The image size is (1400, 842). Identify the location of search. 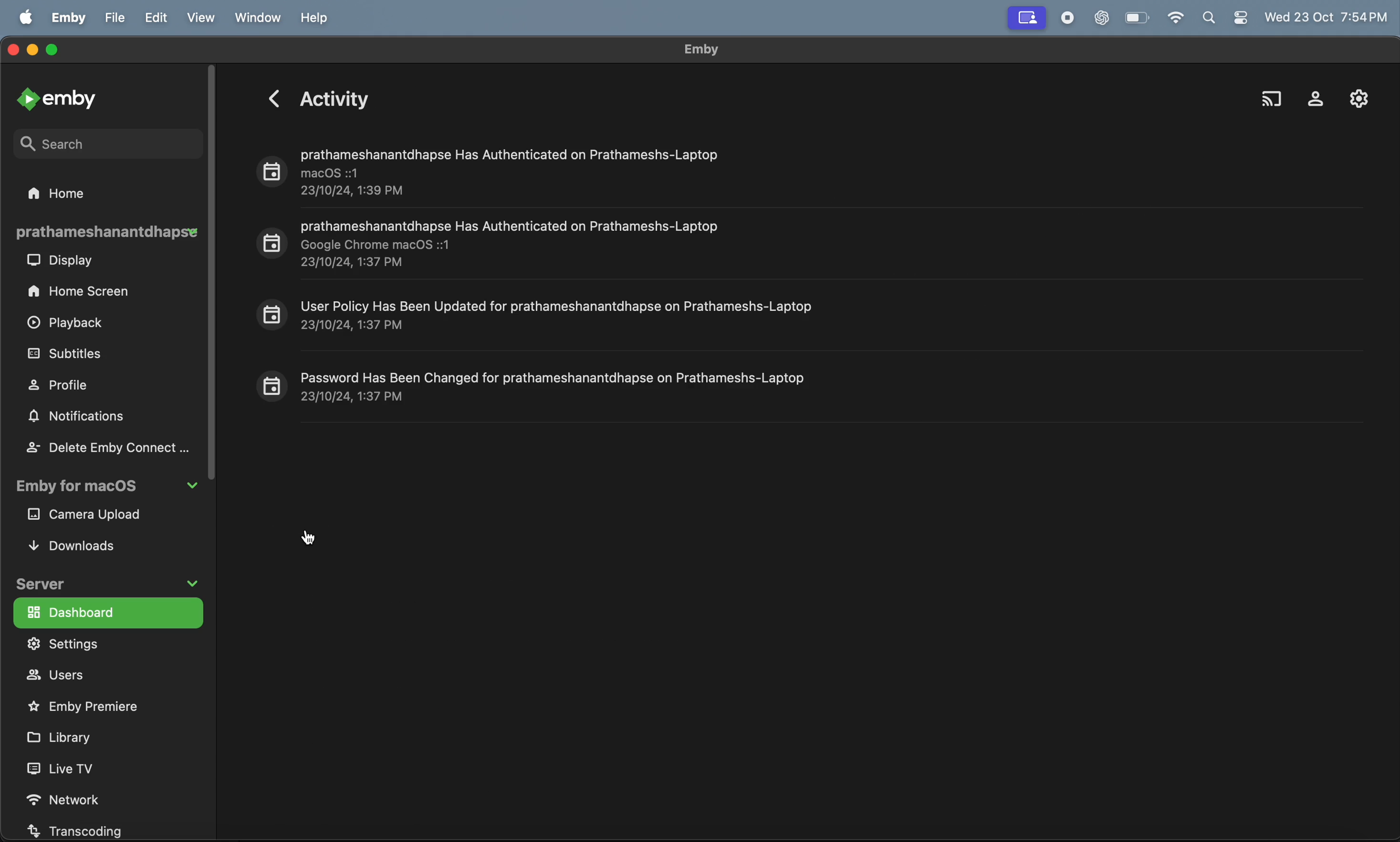
(1271, 94).